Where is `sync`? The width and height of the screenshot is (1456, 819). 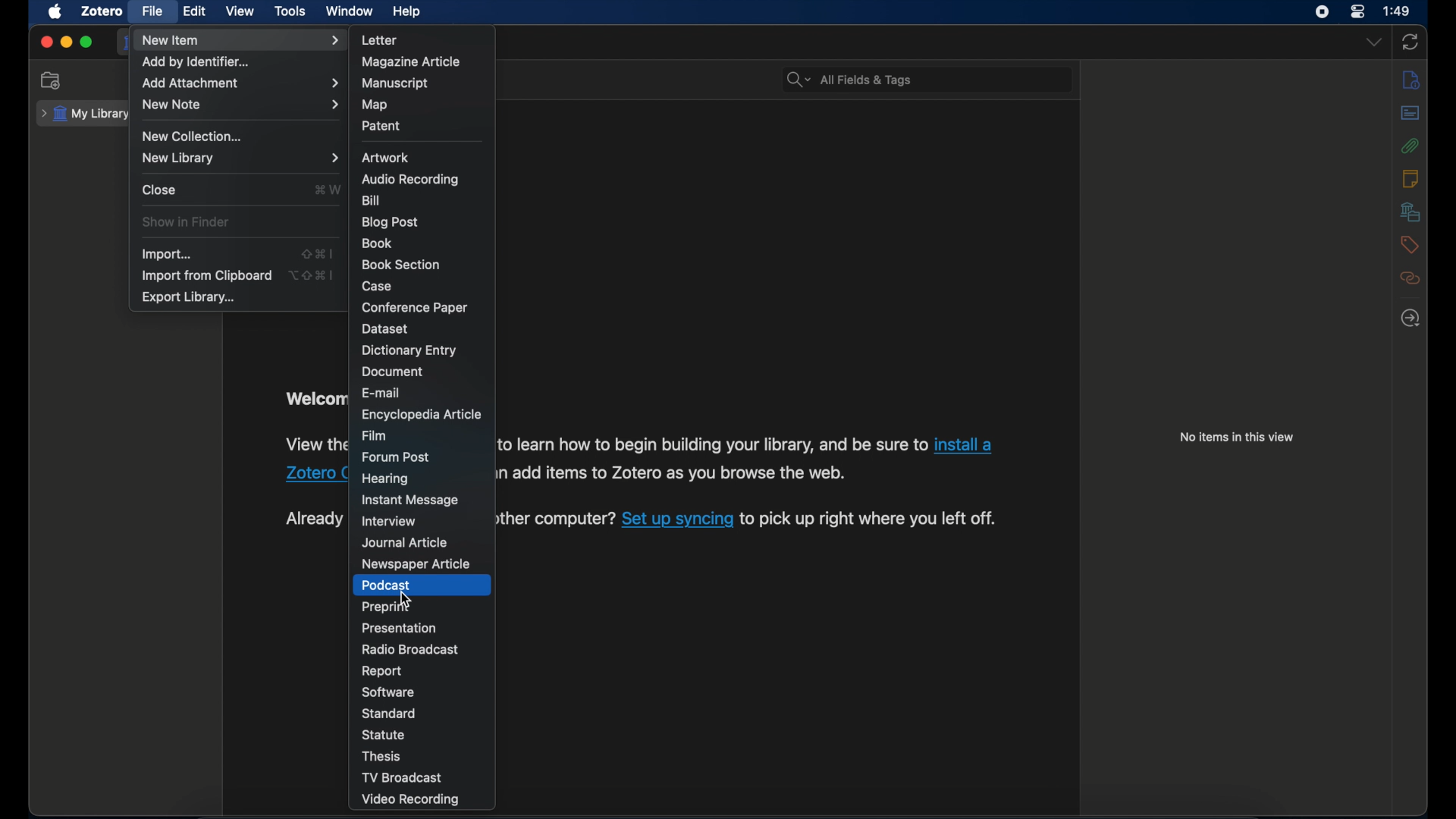 sync is located at coordinates (1410, 42).